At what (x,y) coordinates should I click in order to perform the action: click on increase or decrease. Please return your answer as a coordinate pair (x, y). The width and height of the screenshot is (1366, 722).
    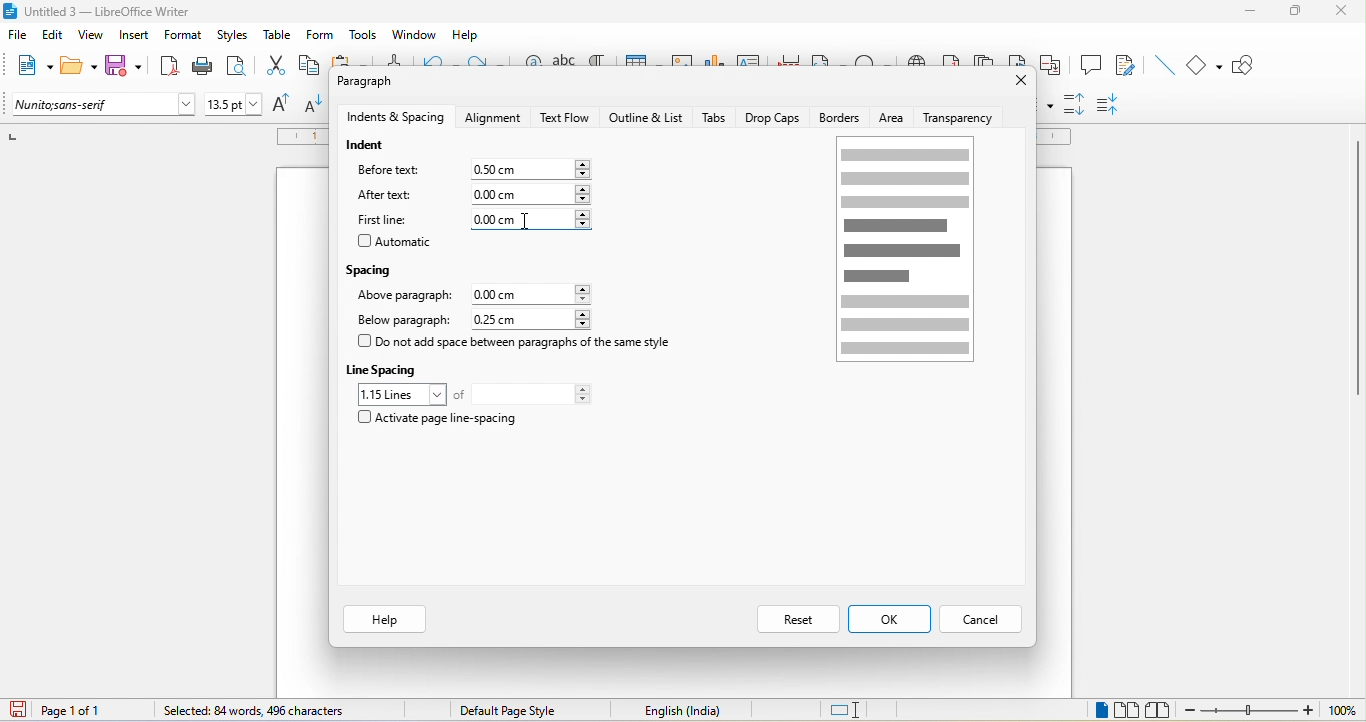
    Looking at the image, I should click on (583, 169).